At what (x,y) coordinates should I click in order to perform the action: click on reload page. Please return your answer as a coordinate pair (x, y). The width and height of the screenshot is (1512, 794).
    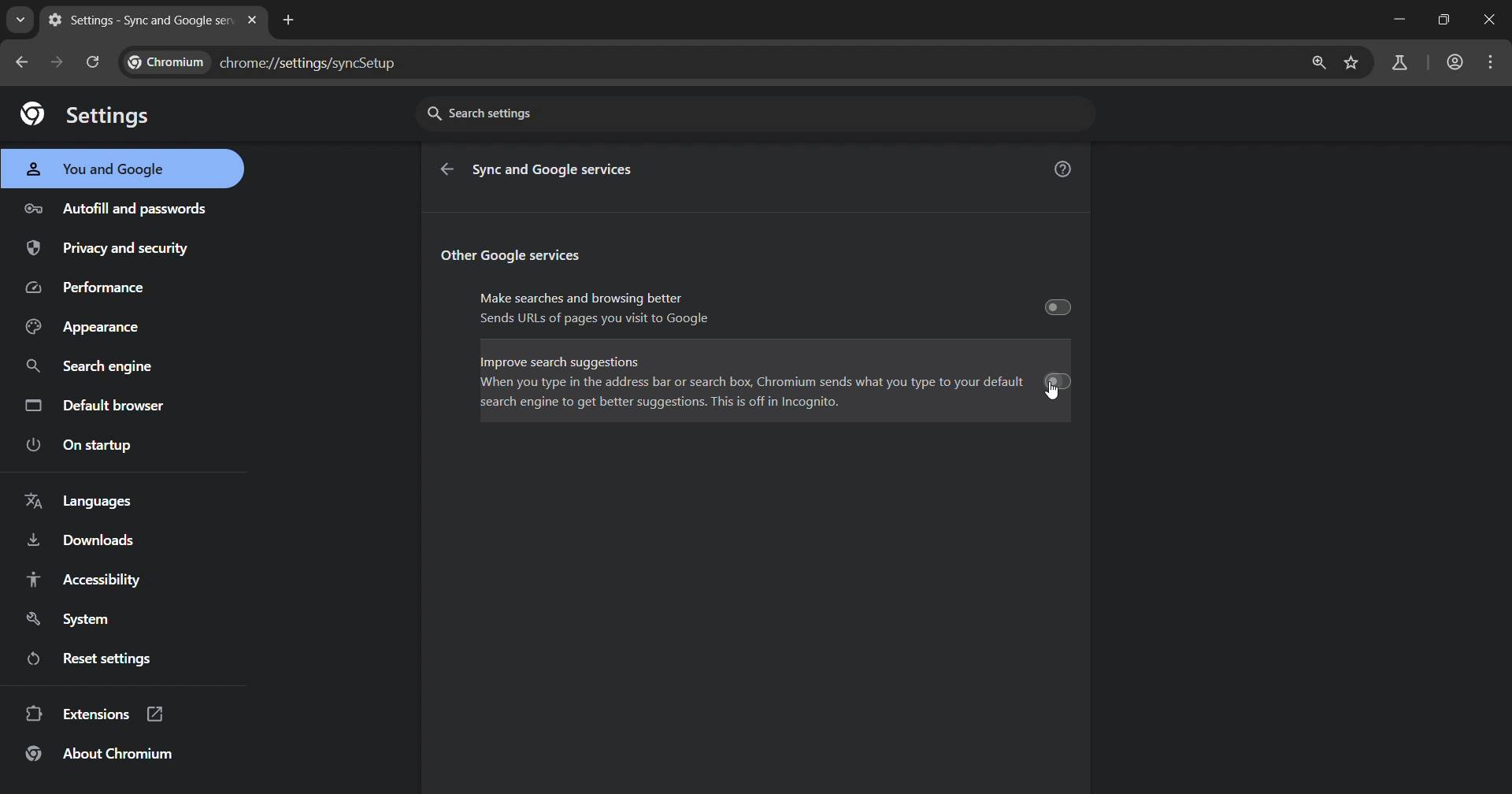
    Looking at the image, I should click on (94, 62).